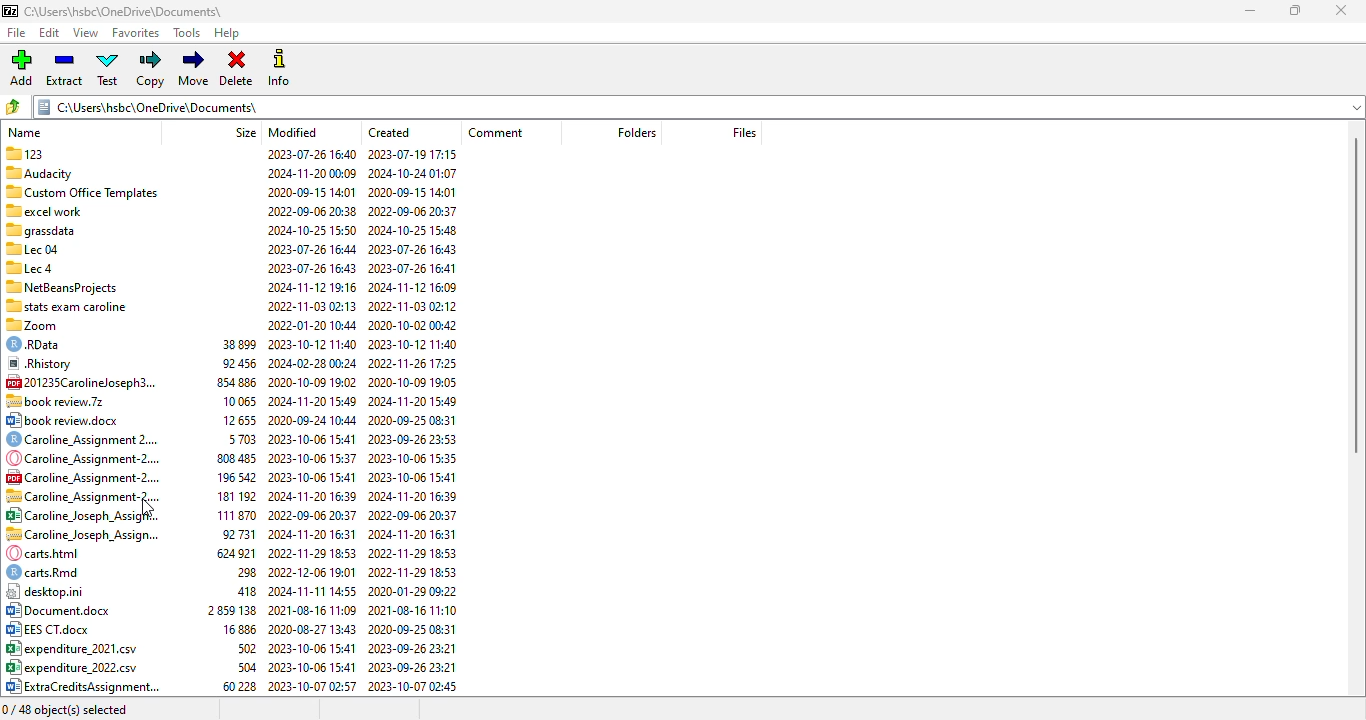 The image size is (1366, 720). What do you see at coordinates (17, 33) in the screenshot?
I see `file` at bounding box center [17, 33].